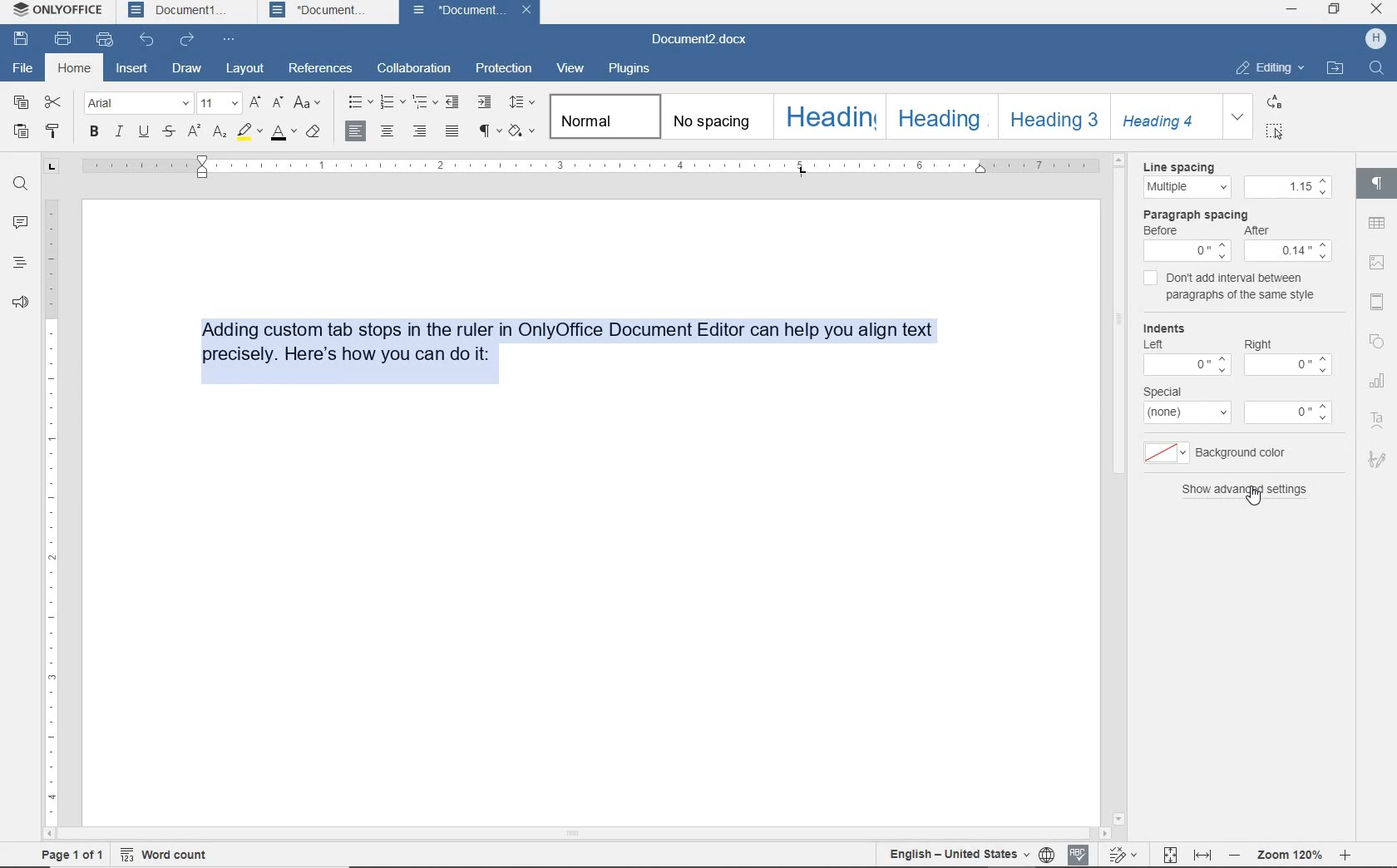 This screenshot has width=1397, height=868. What do you see at coordinates (1377, 302) in the screenshot?
I see `header & footer` at bounding box center [1377, 302].